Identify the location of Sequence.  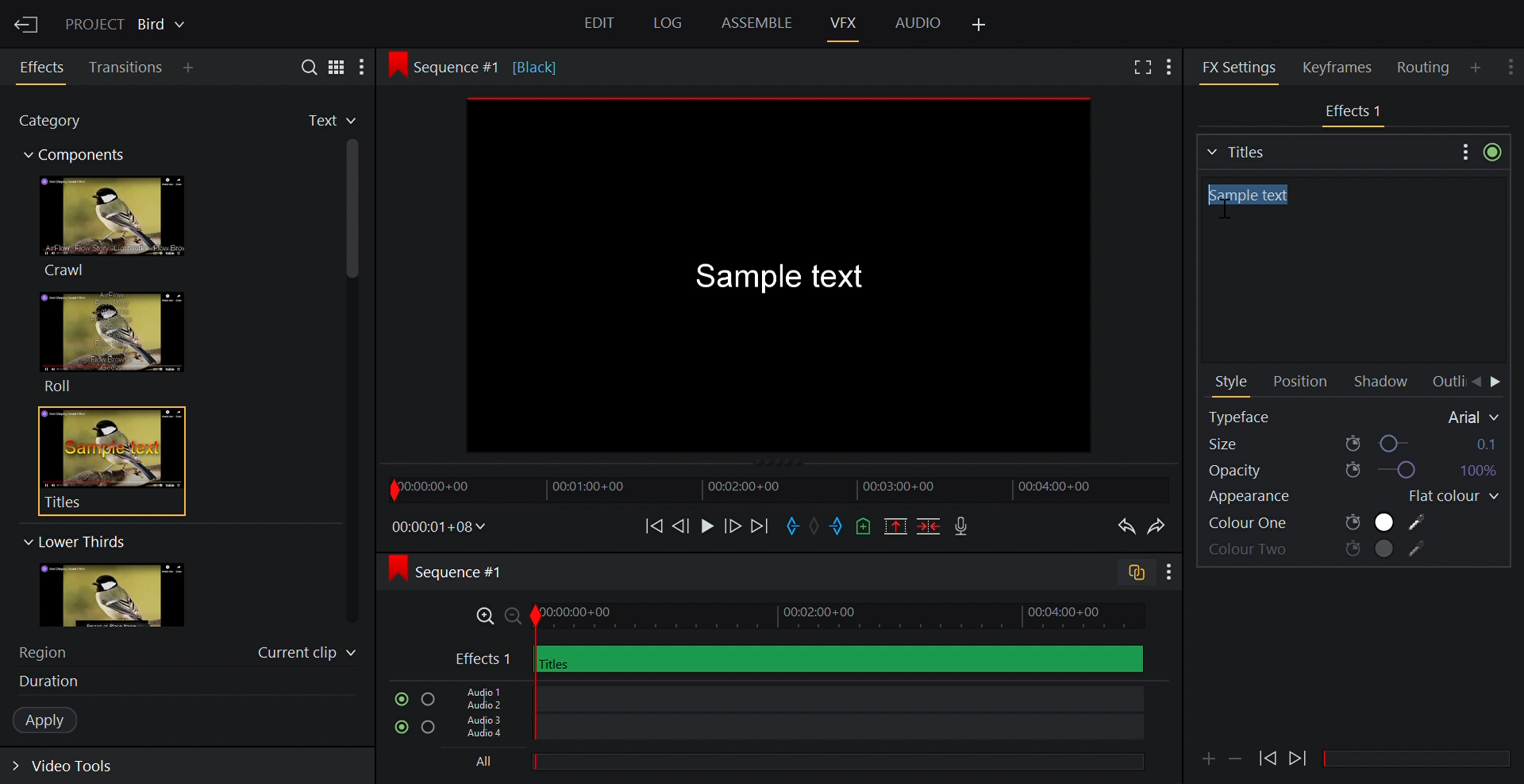
(495, 66).